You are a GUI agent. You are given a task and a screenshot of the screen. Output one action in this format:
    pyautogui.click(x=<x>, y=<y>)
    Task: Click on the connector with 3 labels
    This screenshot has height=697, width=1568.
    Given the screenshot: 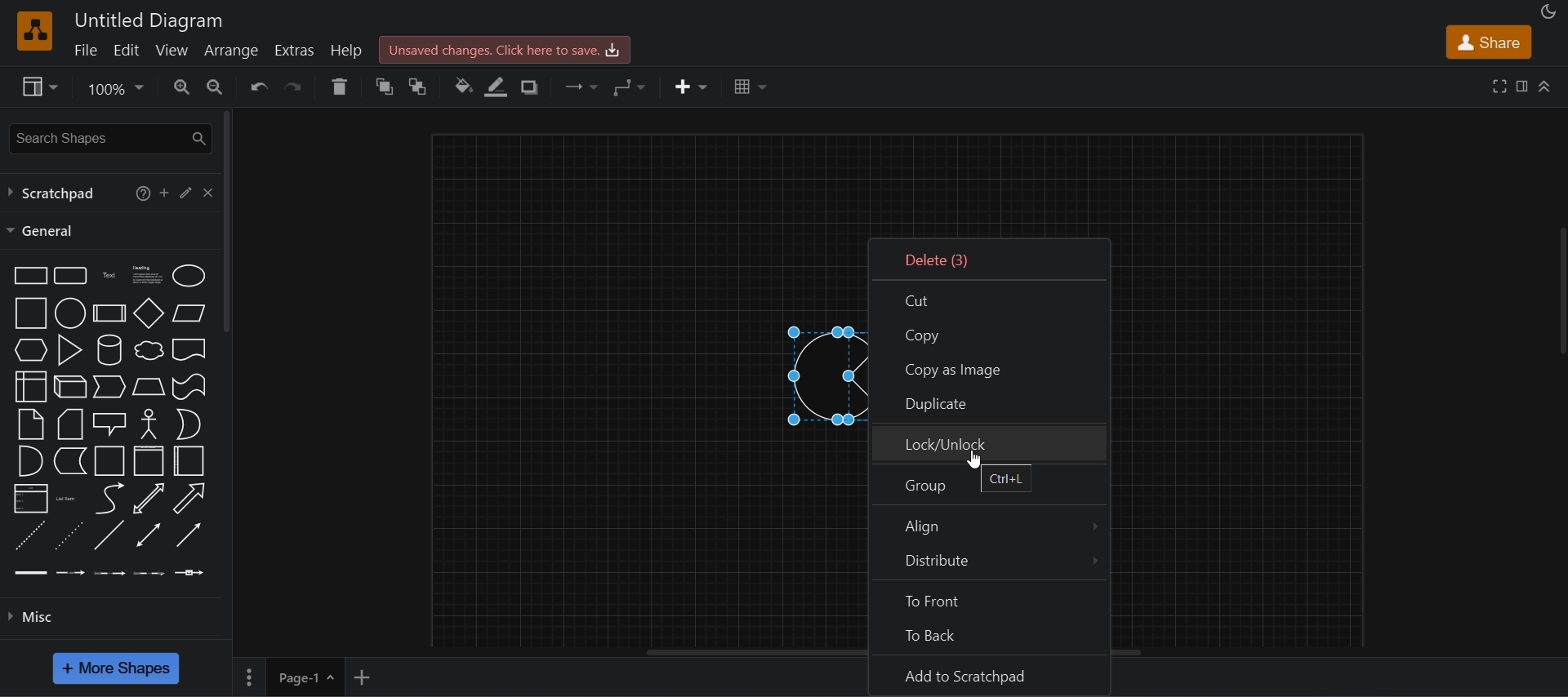 What is the action you would take?
    pyautogui.click(x=149, y=571)
    